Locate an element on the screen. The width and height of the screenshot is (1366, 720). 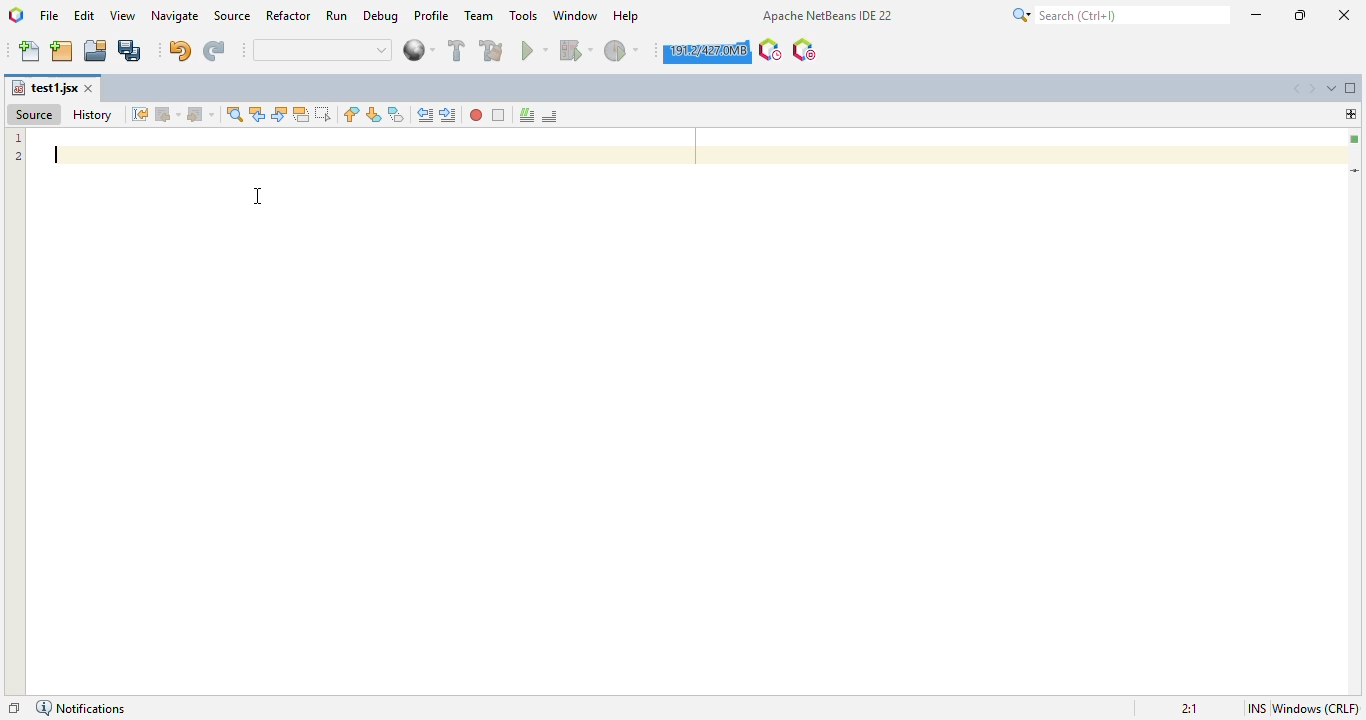
run is located at coordinates (337, 15).